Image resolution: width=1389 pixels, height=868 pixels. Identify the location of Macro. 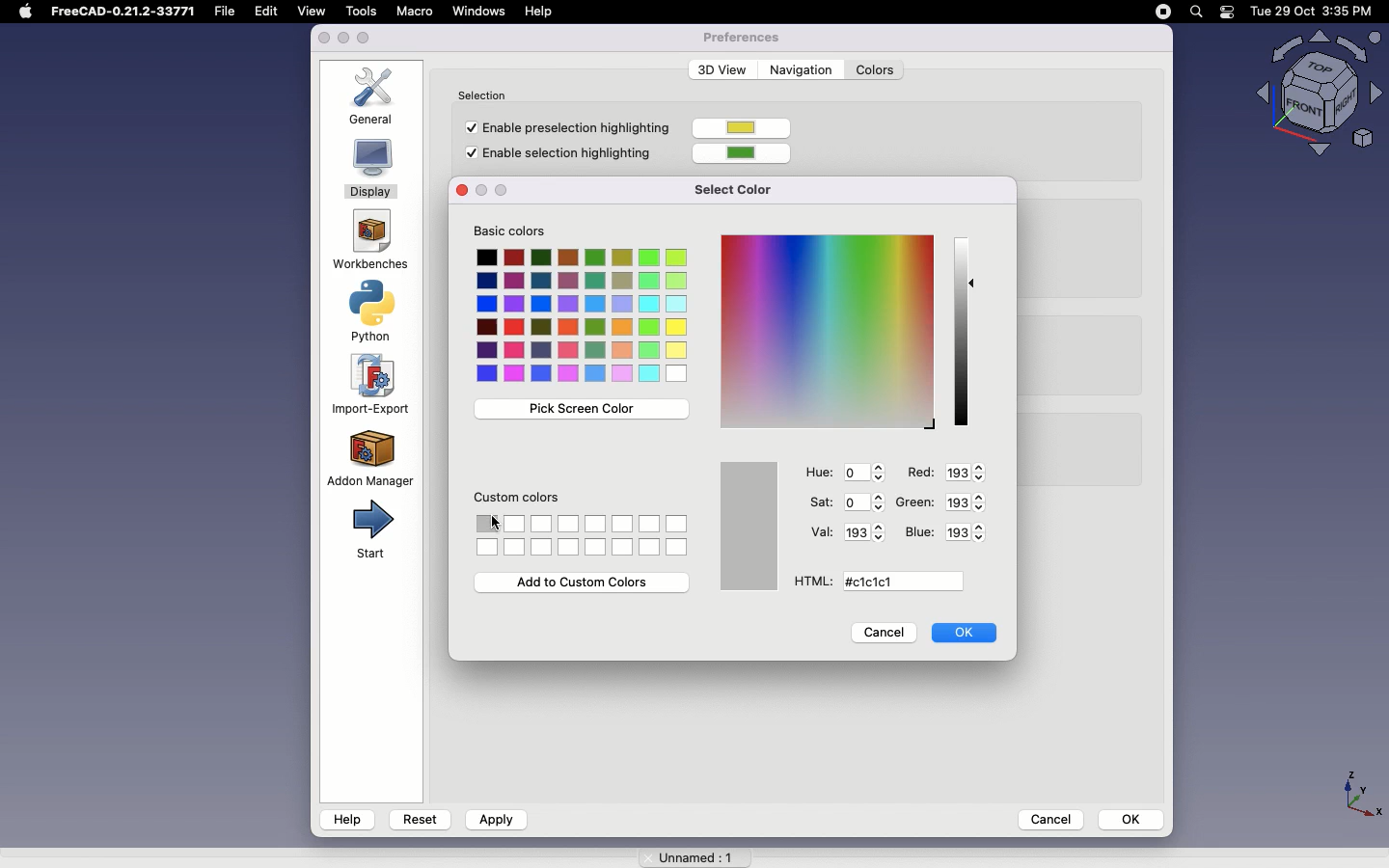
(414, 11).